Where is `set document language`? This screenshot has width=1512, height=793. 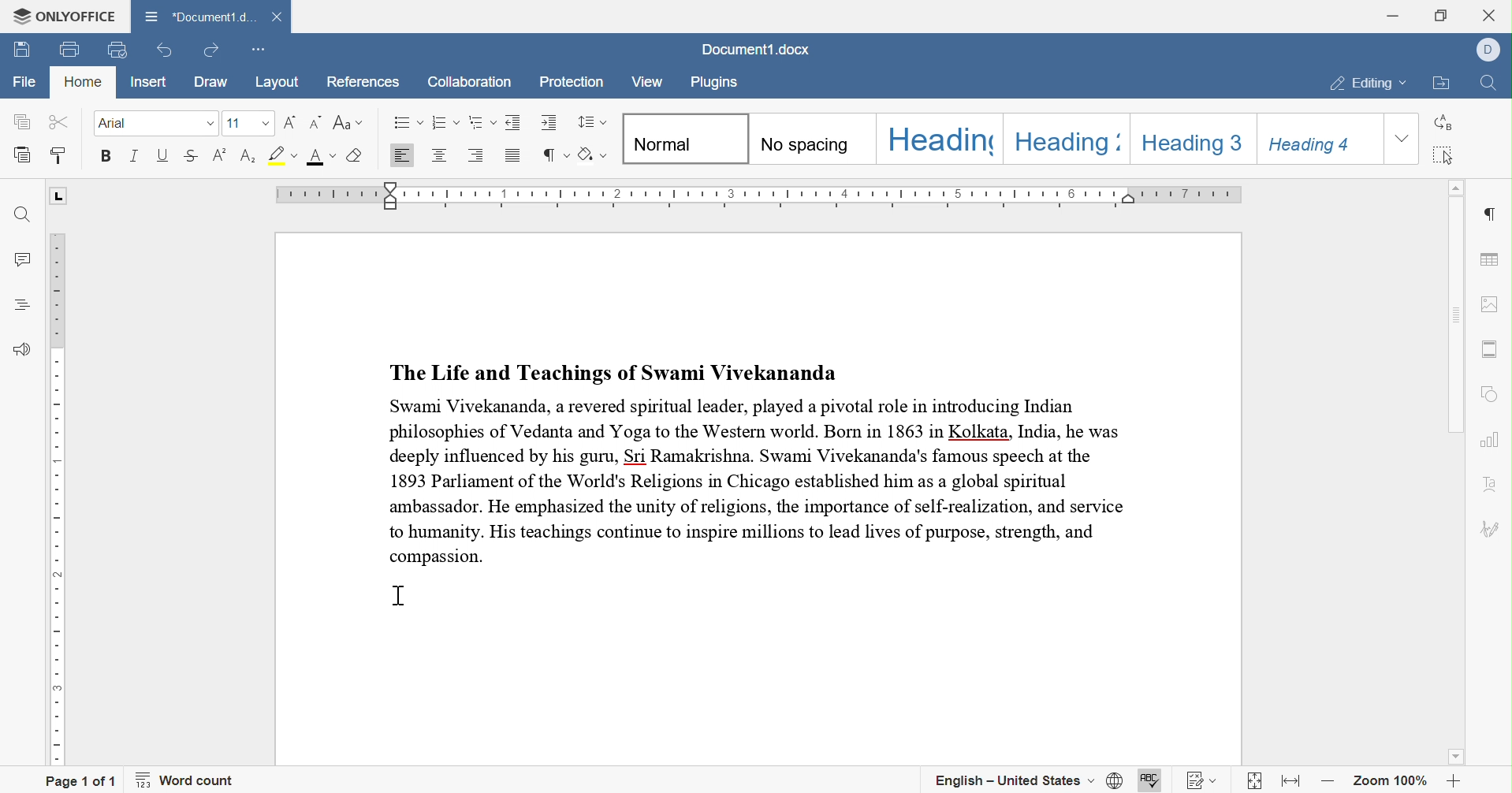 set document language is located at coordinates (1115, 780).